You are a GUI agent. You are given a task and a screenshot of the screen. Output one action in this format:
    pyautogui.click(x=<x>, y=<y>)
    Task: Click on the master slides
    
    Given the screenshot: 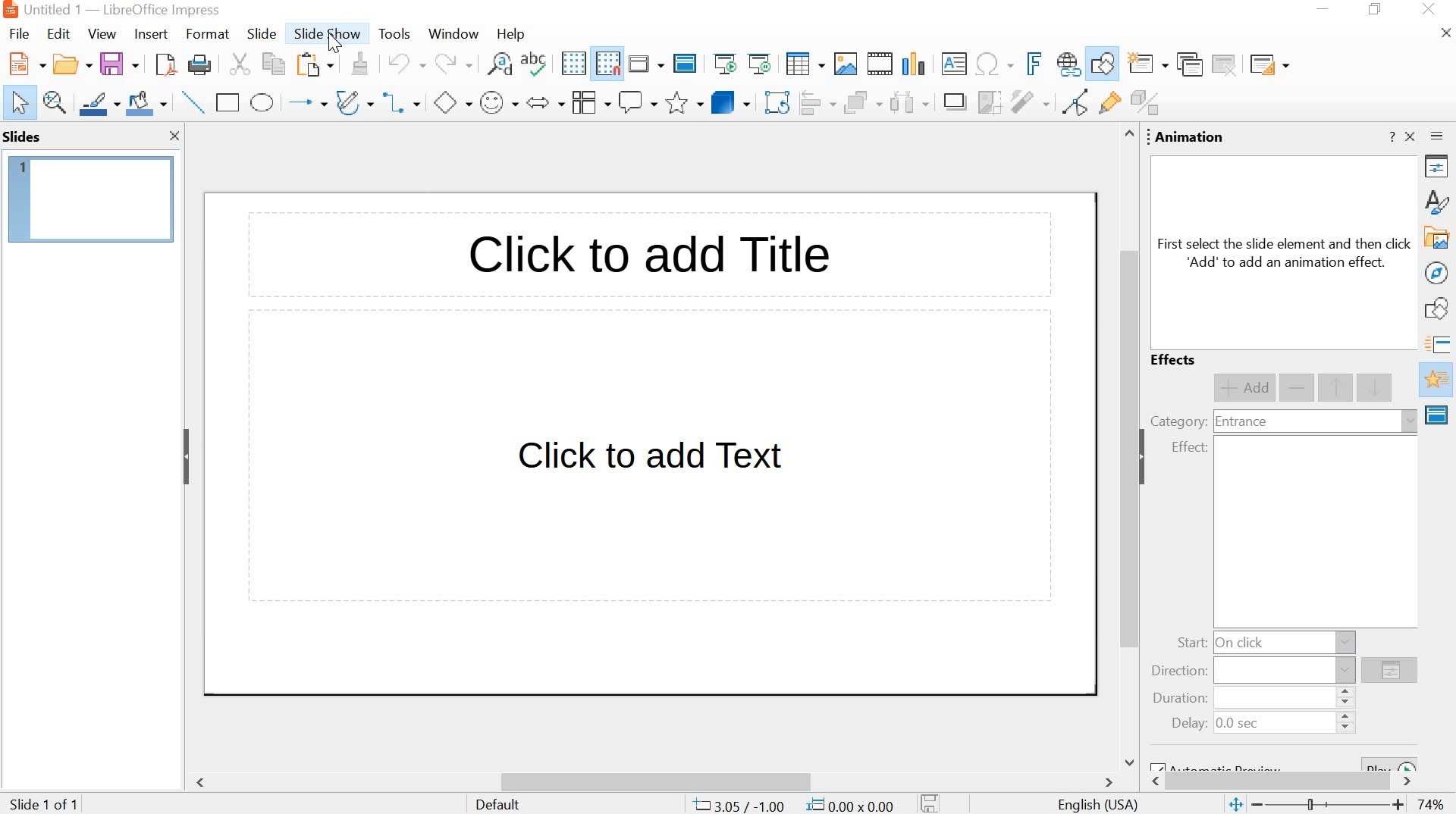 What is the action you would take?
    pyautogui.click(x=1439, y=415)
    